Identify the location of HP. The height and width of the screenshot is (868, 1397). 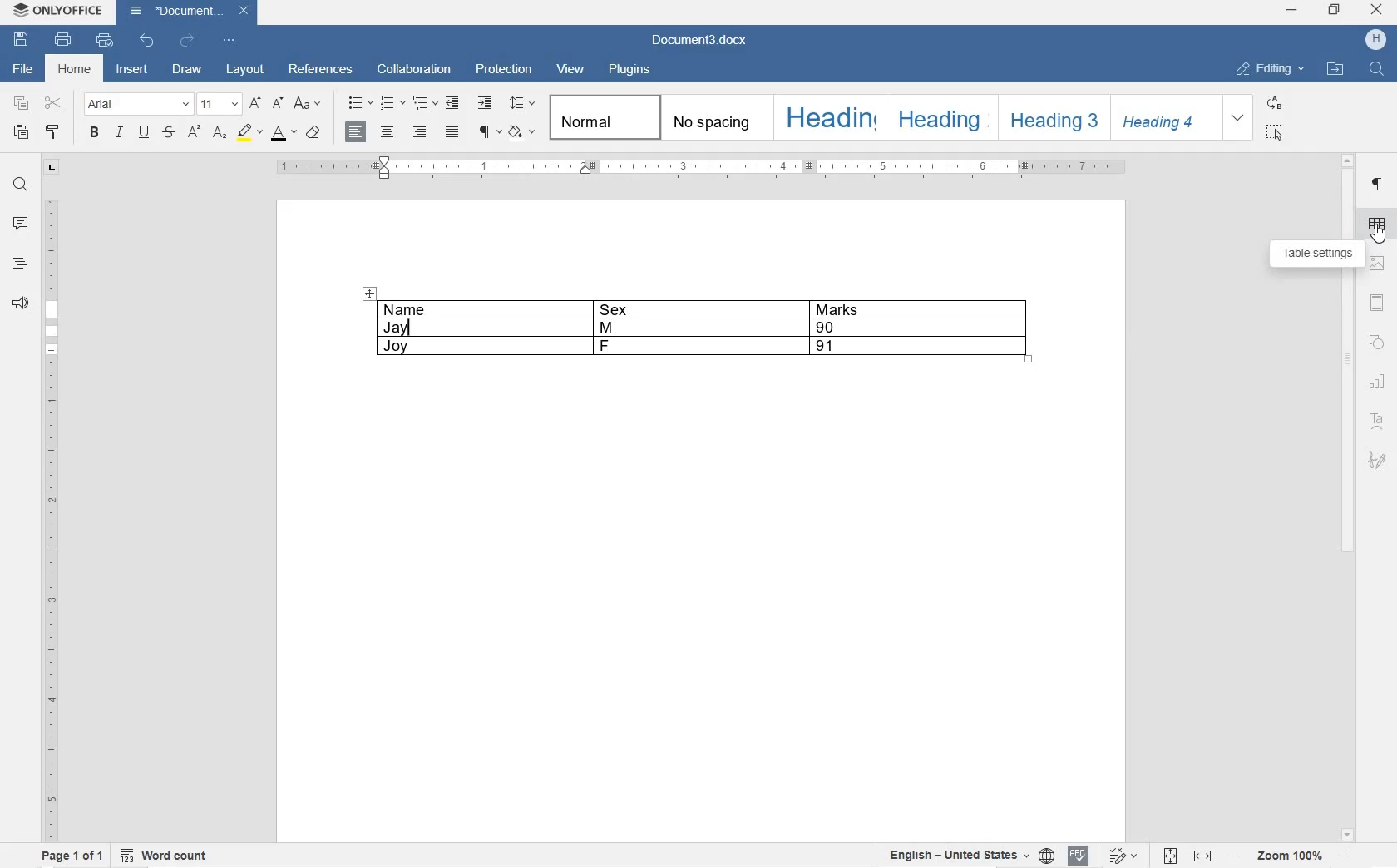
(1378, 38).